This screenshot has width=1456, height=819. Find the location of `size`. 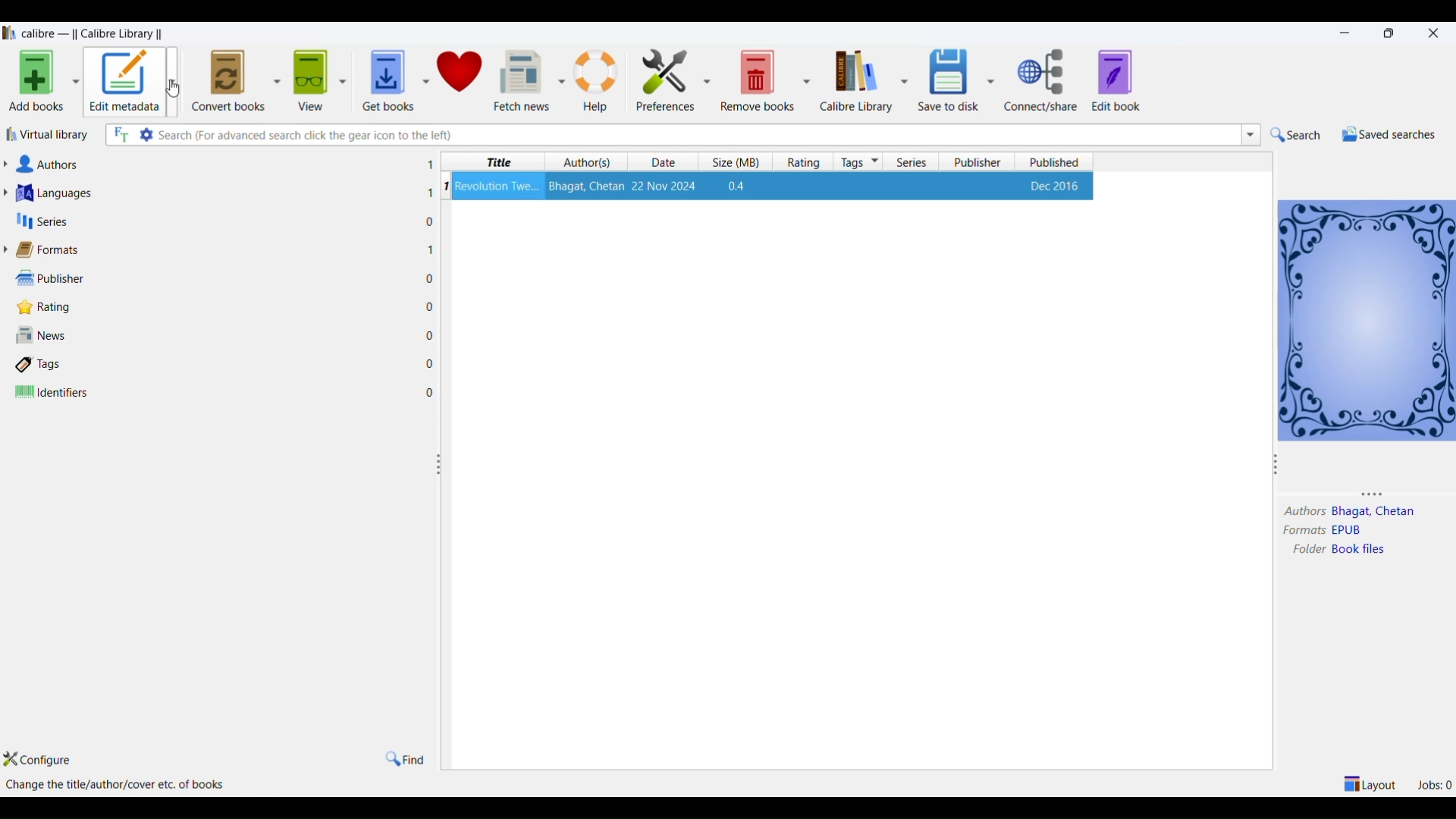

size is located at coordinates (732, 162).